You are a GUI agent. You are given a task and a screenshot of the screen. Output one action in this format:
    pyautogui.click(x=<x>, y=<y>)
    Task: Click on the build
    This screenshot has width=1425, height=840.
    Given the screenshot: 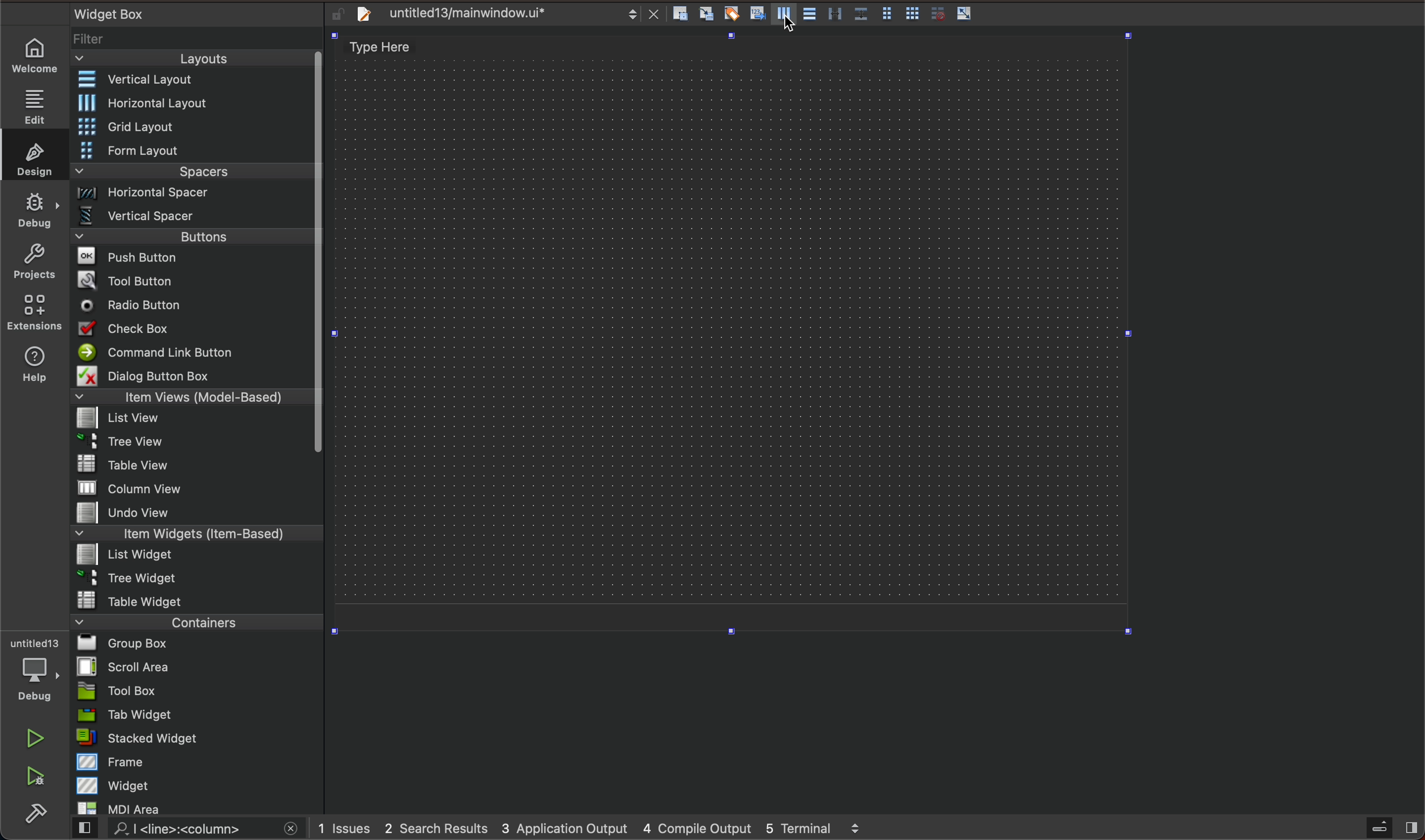 What is the action you would take?
    pyautogui.click(x=40, y=811)
    